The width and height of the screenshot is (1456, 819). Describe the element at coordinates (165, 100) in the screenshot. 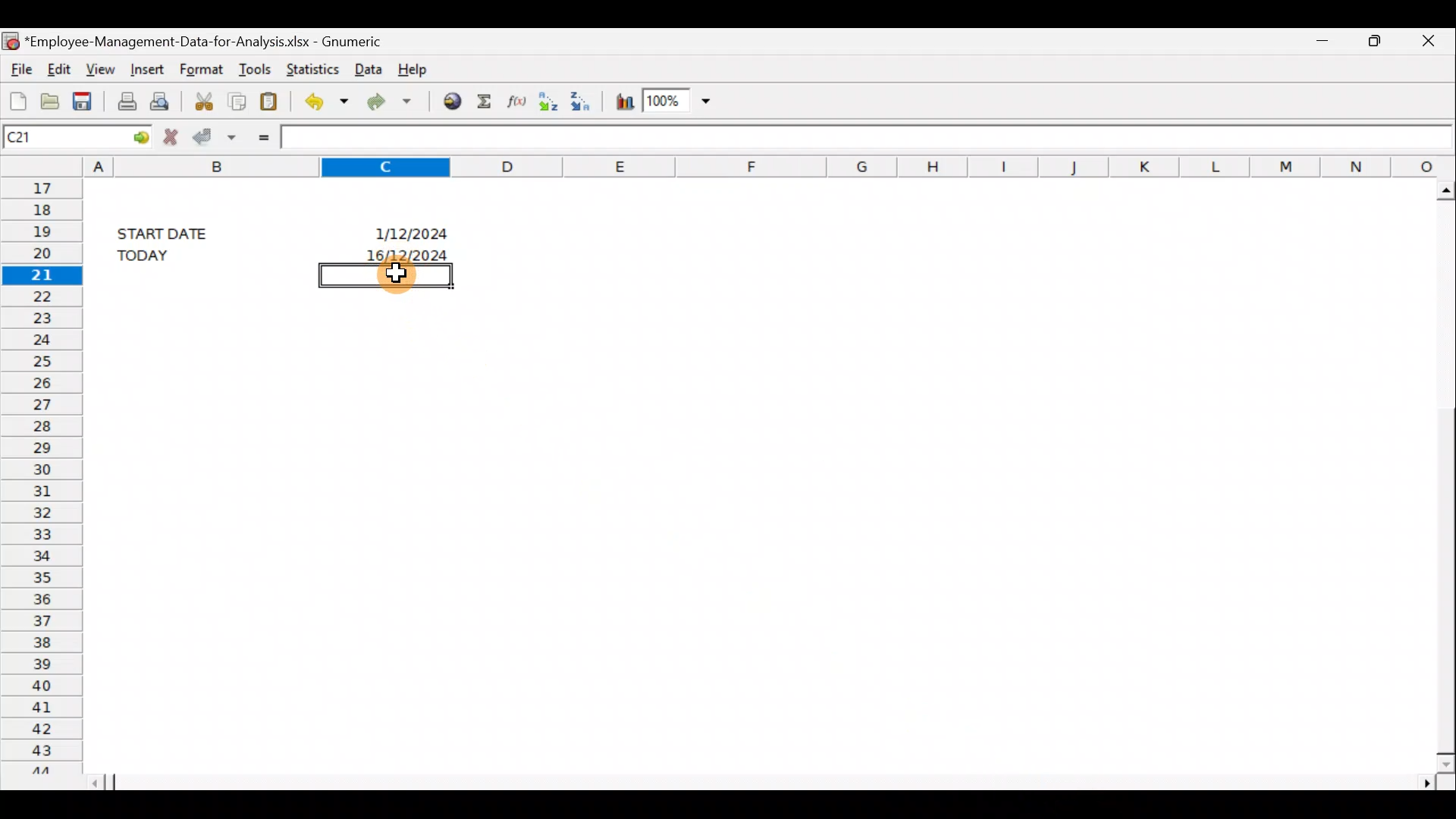

I see `Print preview` at that location.